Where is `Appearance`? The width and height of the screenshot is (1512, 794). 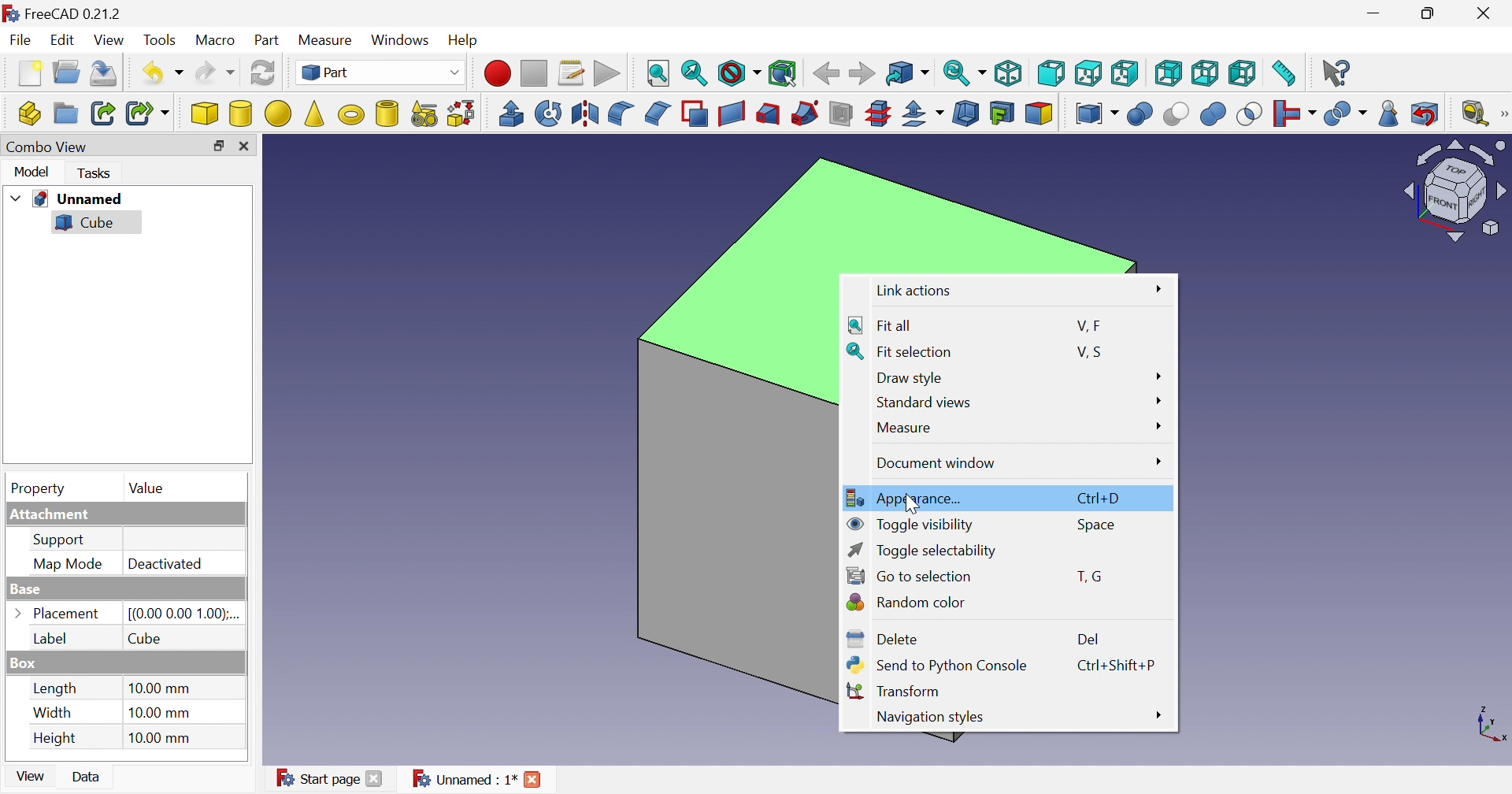 Appearance is located at coordinates (908, 496).